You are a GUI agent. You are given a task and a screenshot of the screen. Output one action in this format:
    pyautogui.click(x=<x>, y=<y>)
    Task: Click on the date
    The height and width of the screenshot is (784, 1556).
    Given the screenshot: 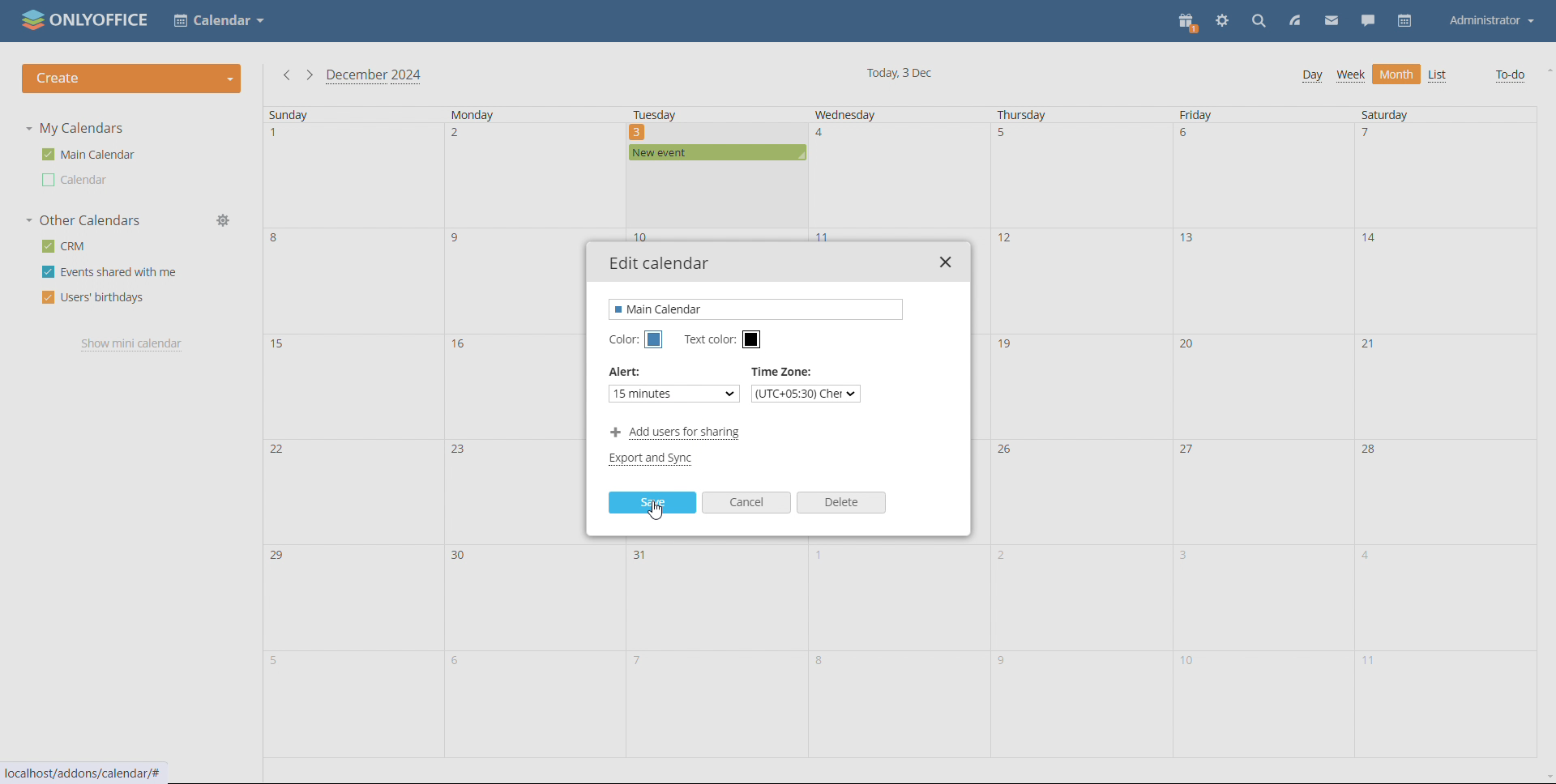 What is the action you would take?
    pyautogui.click(x=1262, y=281)
    